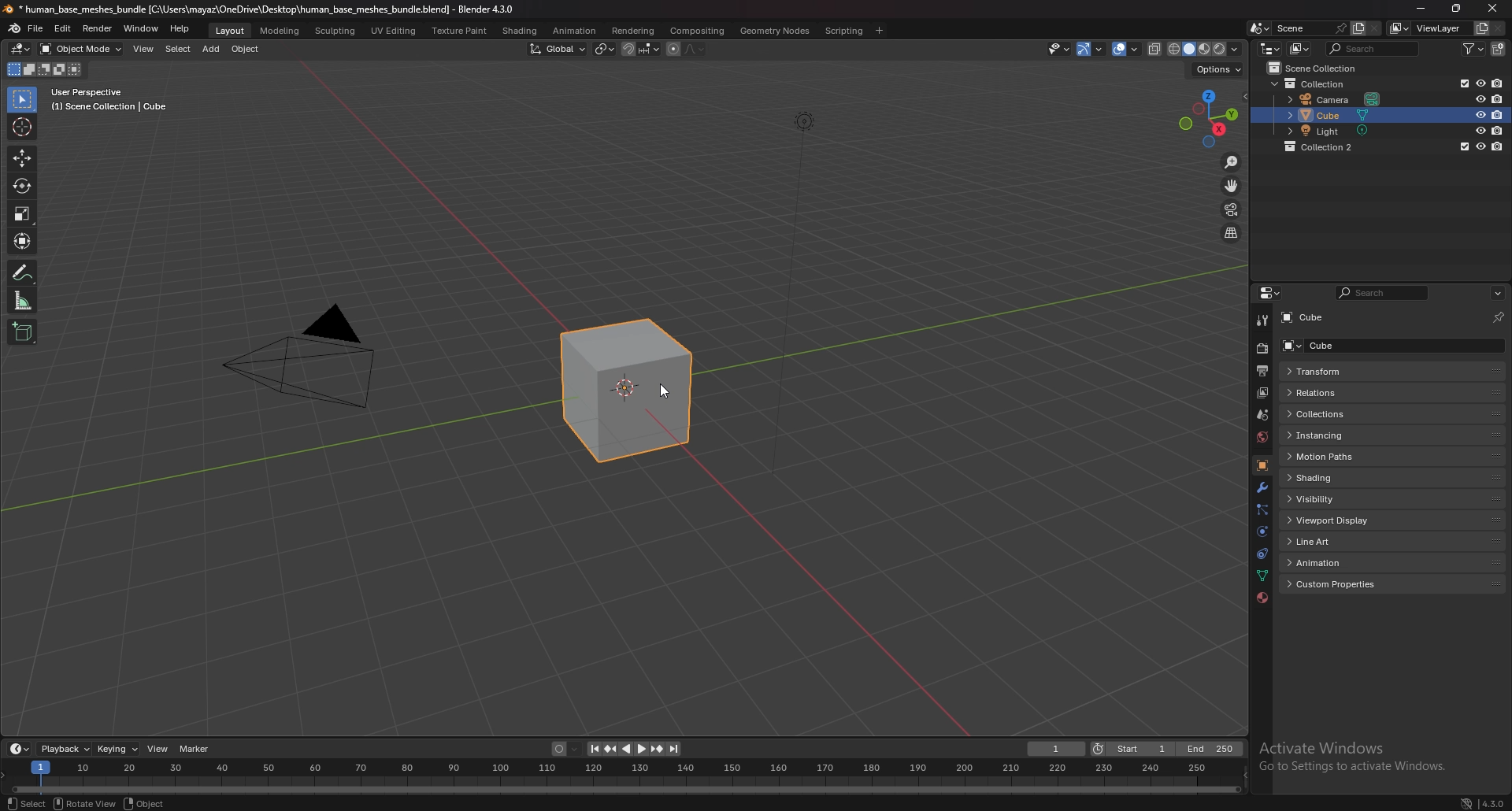 This screenshot has width=1512, height=811. Describe the element at coordinates (1272, 293) in the screenshot. I see `editor type` at that location.